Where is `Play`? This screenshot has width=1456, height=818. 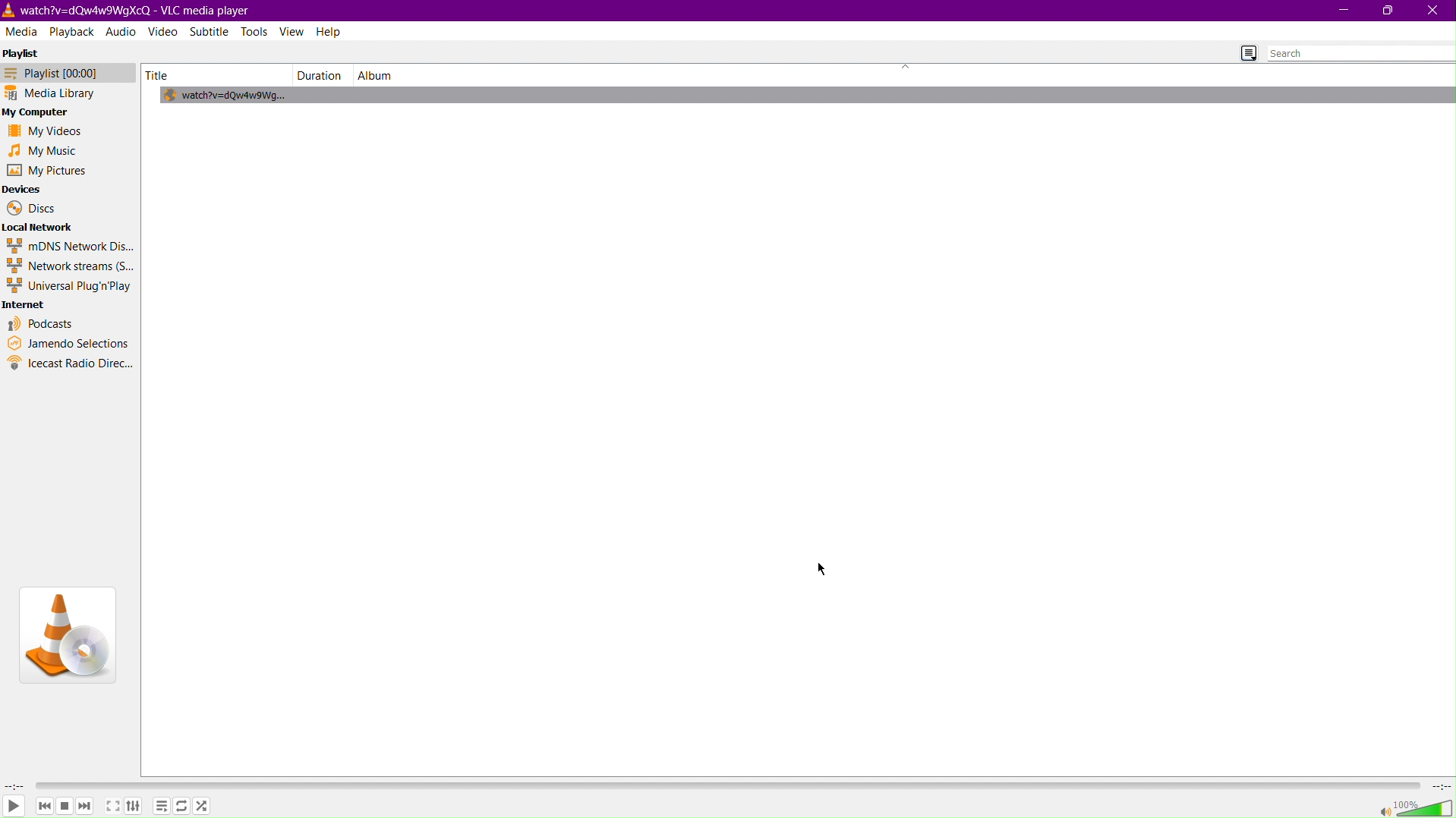
Play is located at coordinates (15, 807).